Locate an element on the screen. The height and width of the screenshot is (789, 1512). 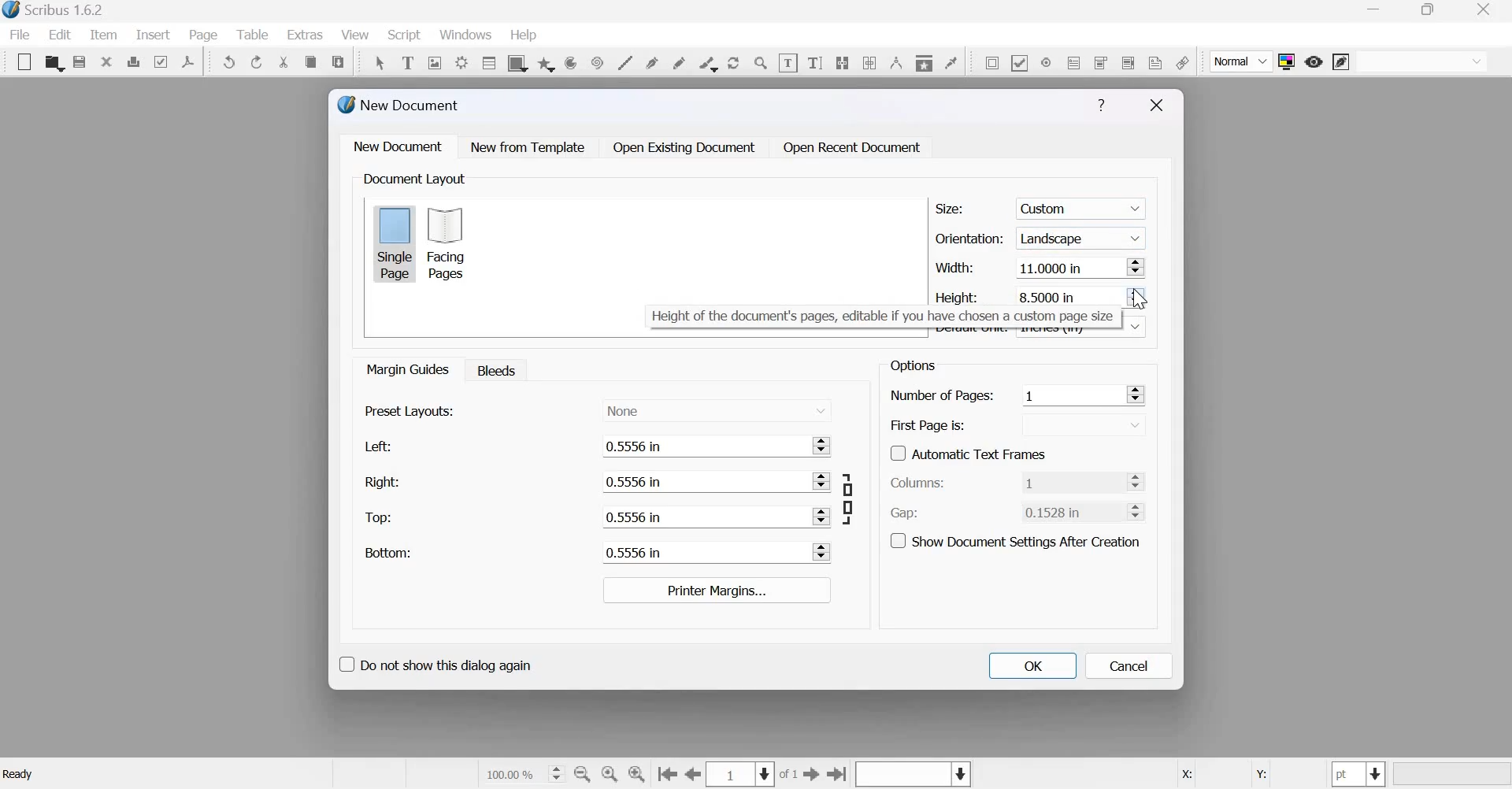
Y: is located at coordinates (1258, 775).